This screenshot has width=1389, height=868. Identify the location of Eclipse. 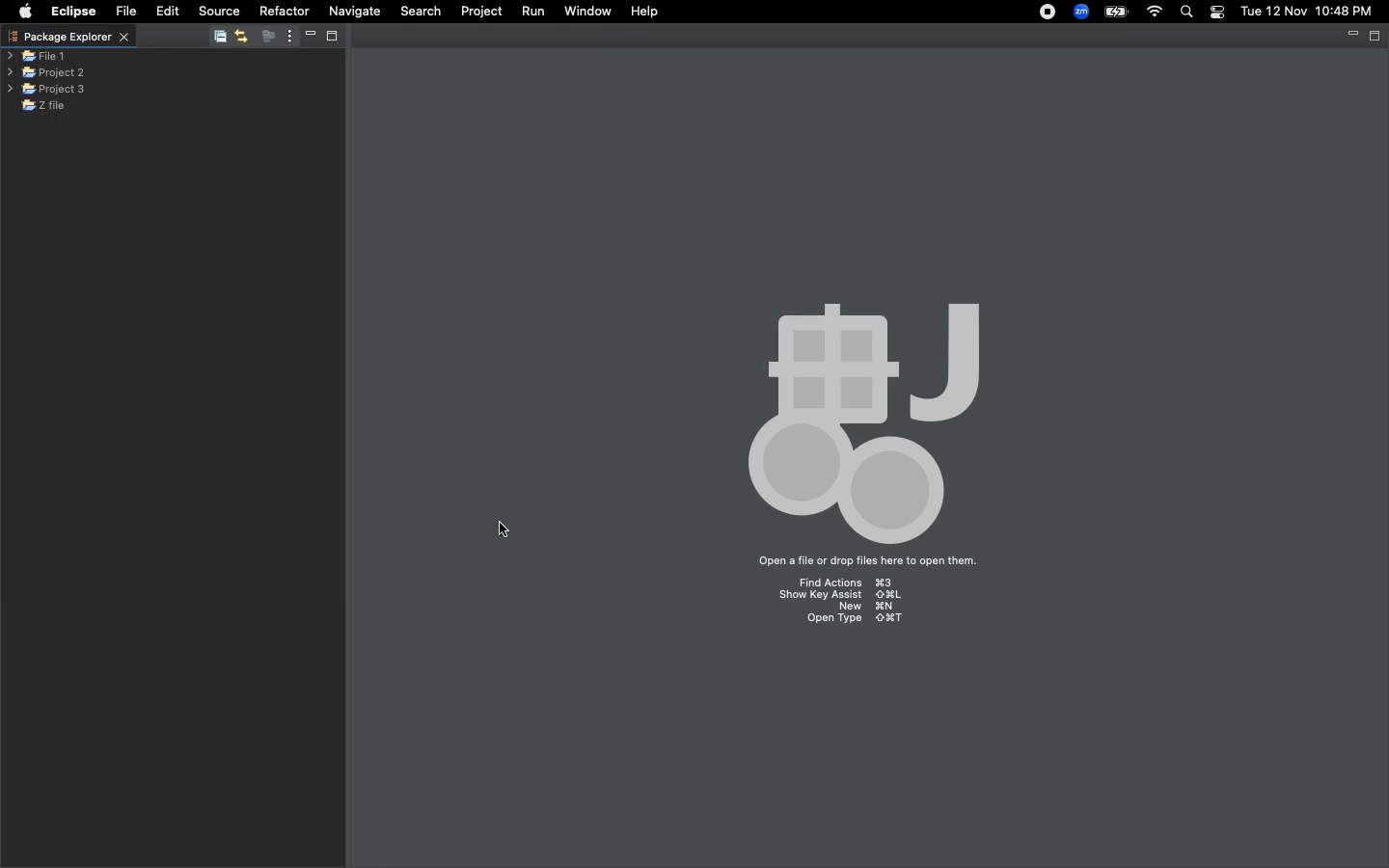
(75, 12).